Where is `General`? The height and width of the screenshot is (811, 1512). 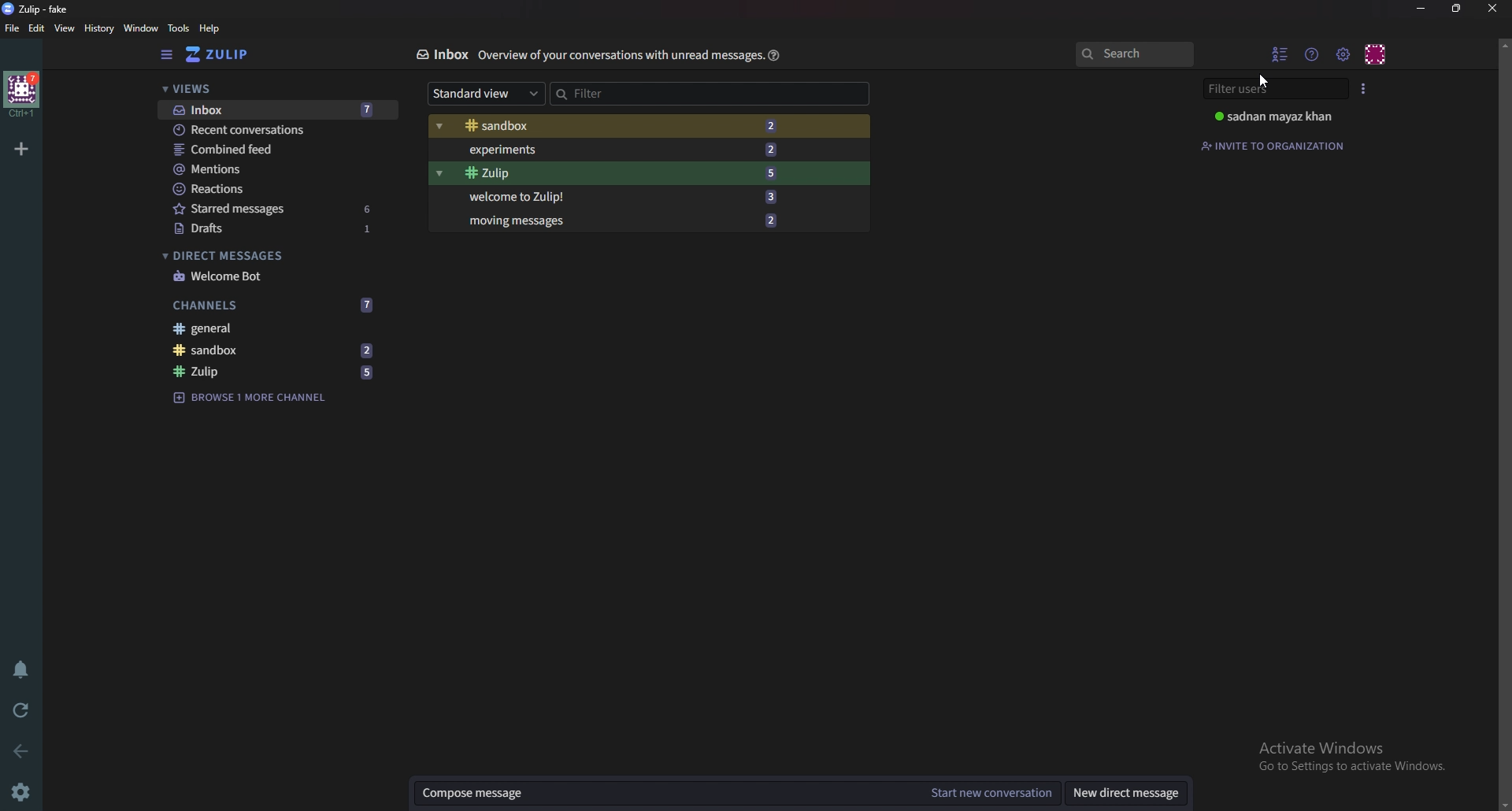
General is located at coordinates (272, 328).